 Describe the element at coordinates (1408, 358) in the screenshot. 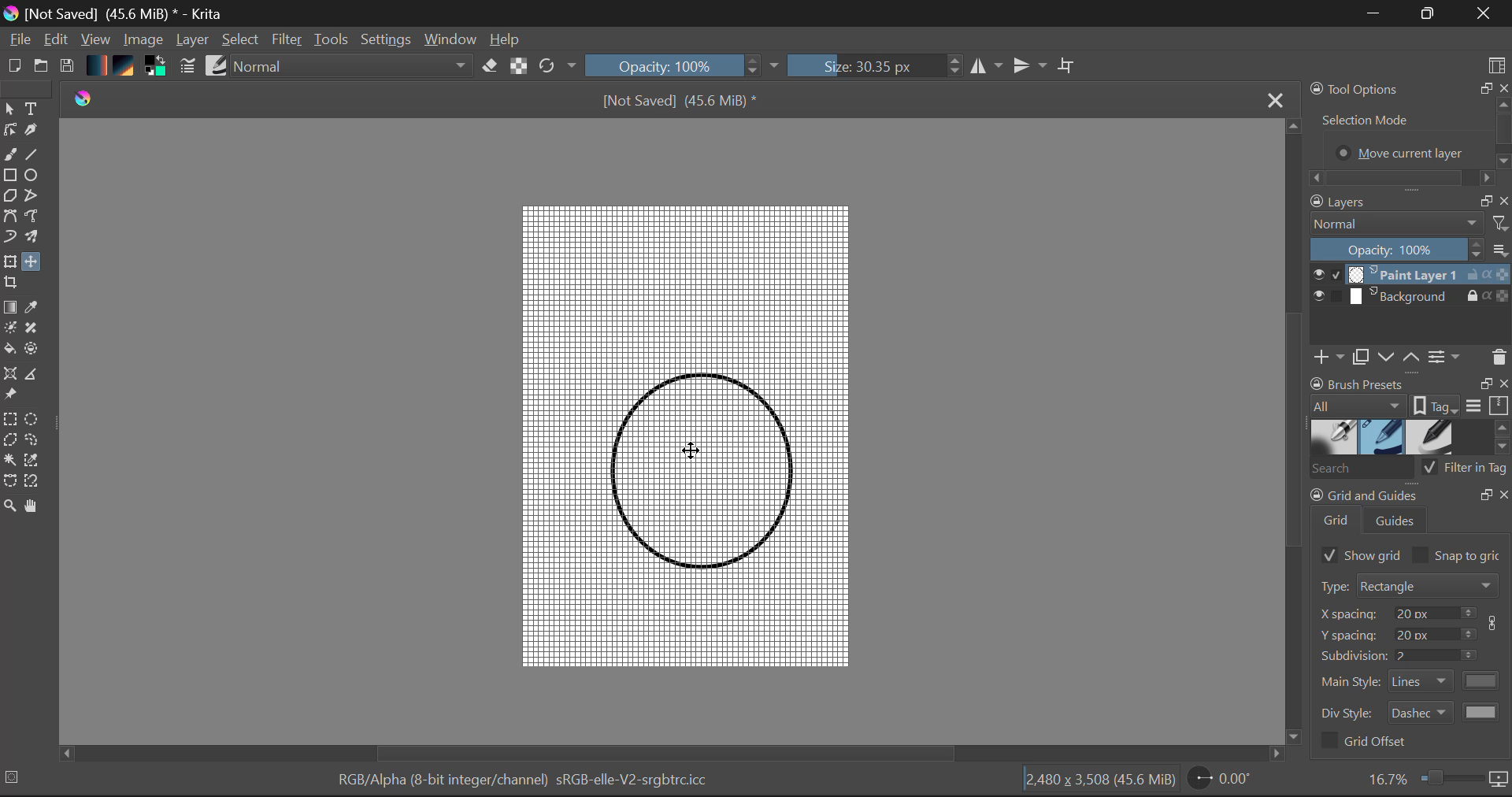

I see `Layers Quickbuttons` at that location.